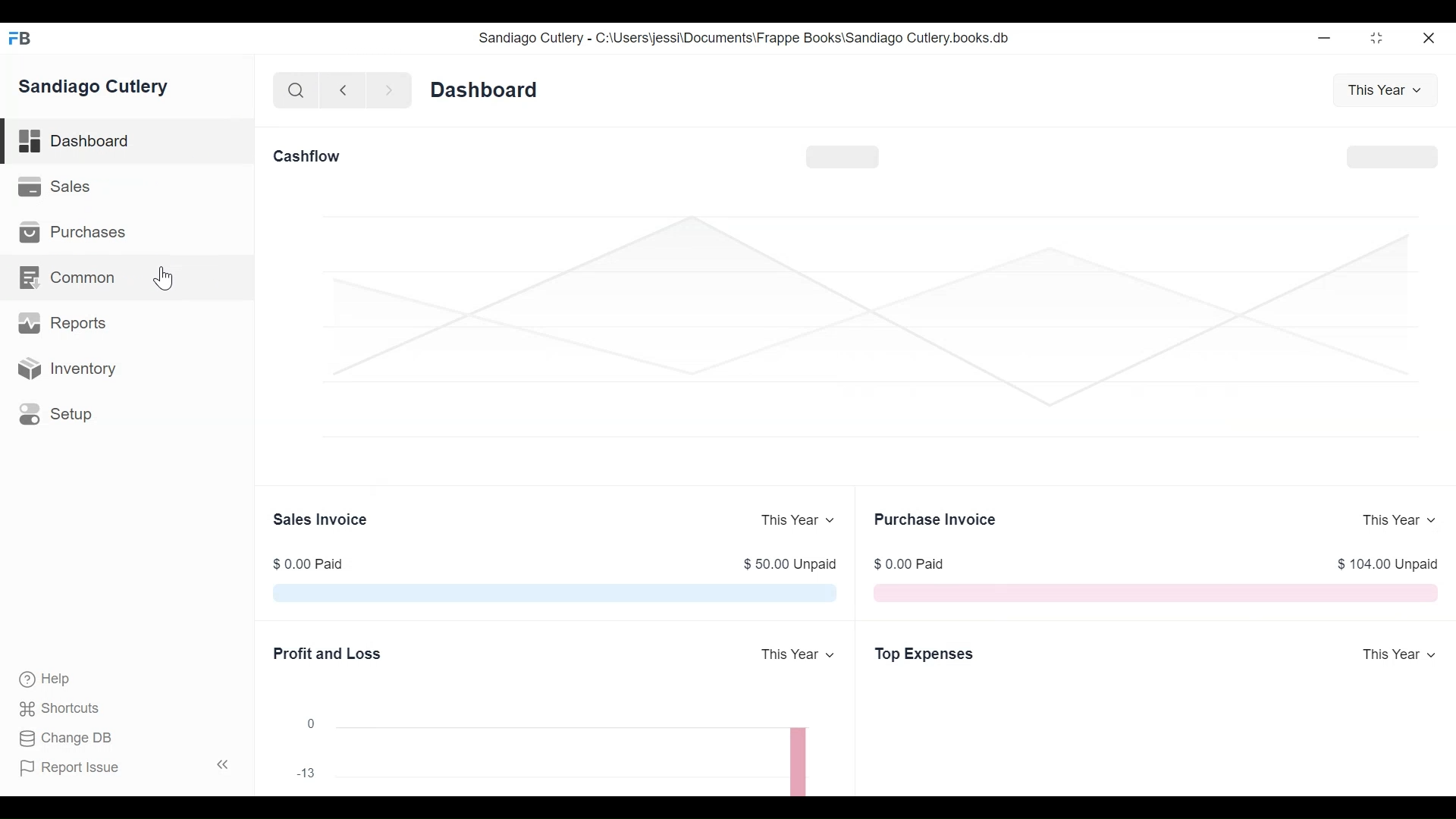 This screenshot has width=1456, height=819. Describe the element at coordinates (60, 187) in the screenshot. I see `Sales` at that location.